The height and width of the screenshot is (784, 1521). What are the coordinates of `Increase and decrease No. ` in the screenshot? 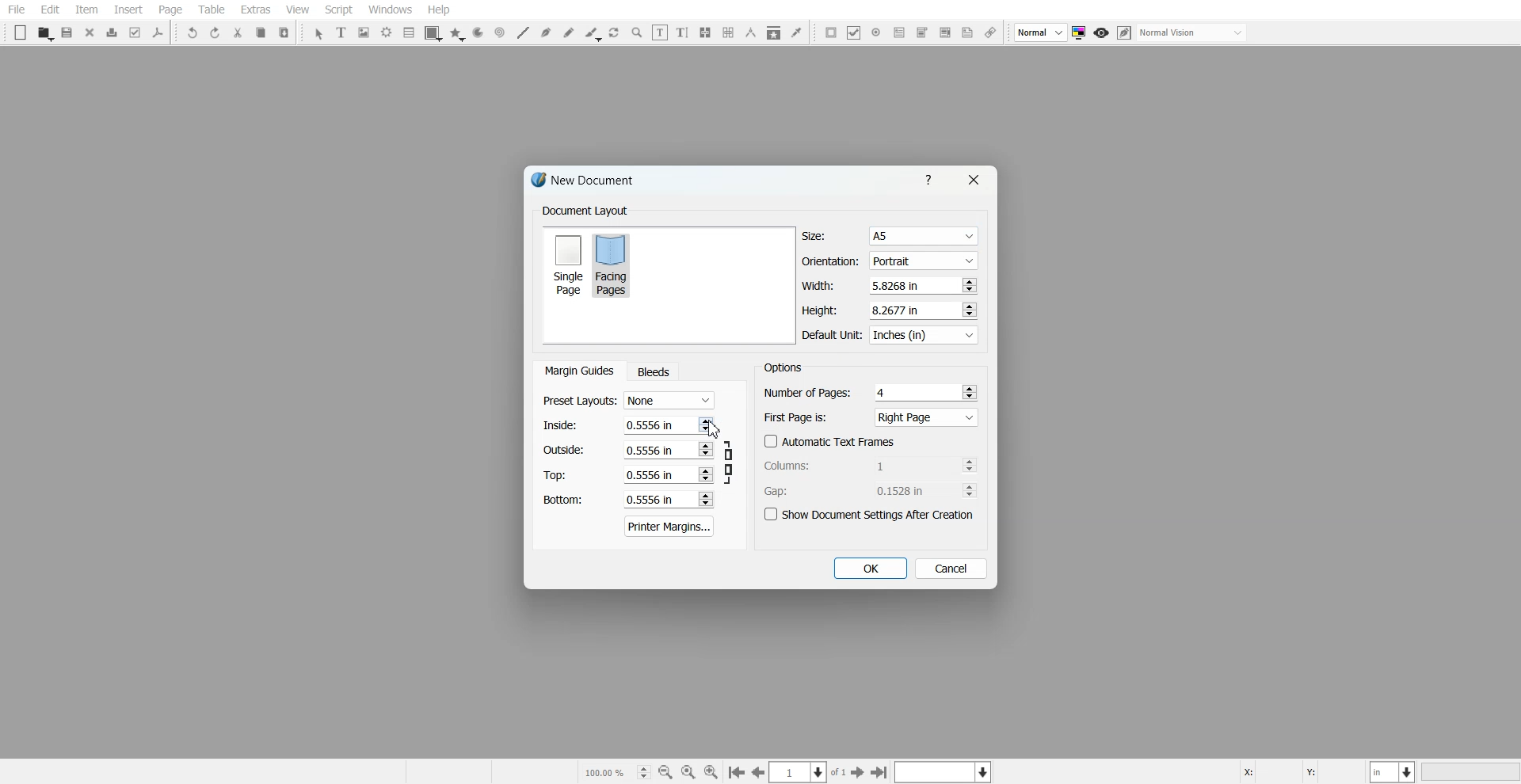 It's located at (970, 490).